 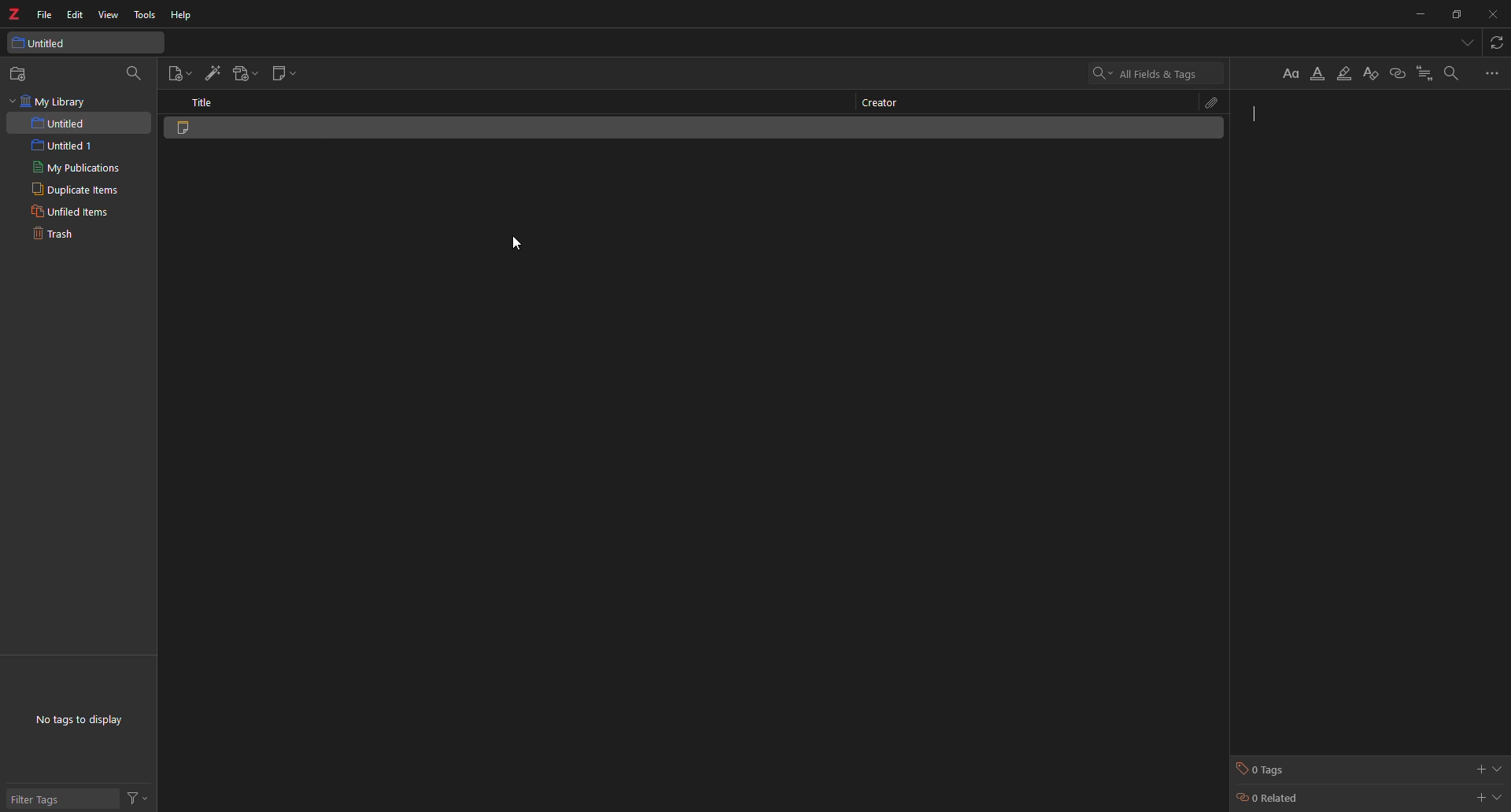 I want to click on highlight color, so click(x=1349, y=71).